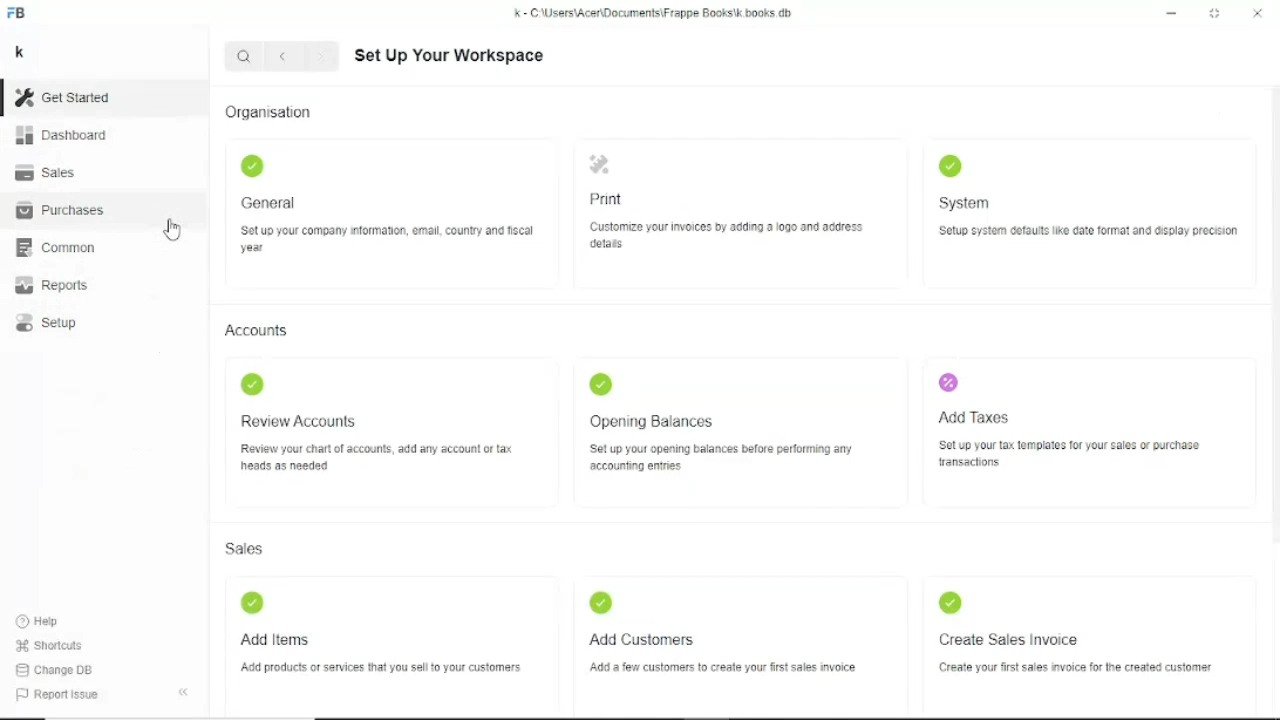  I want to click on Sales, so click(48, 173).